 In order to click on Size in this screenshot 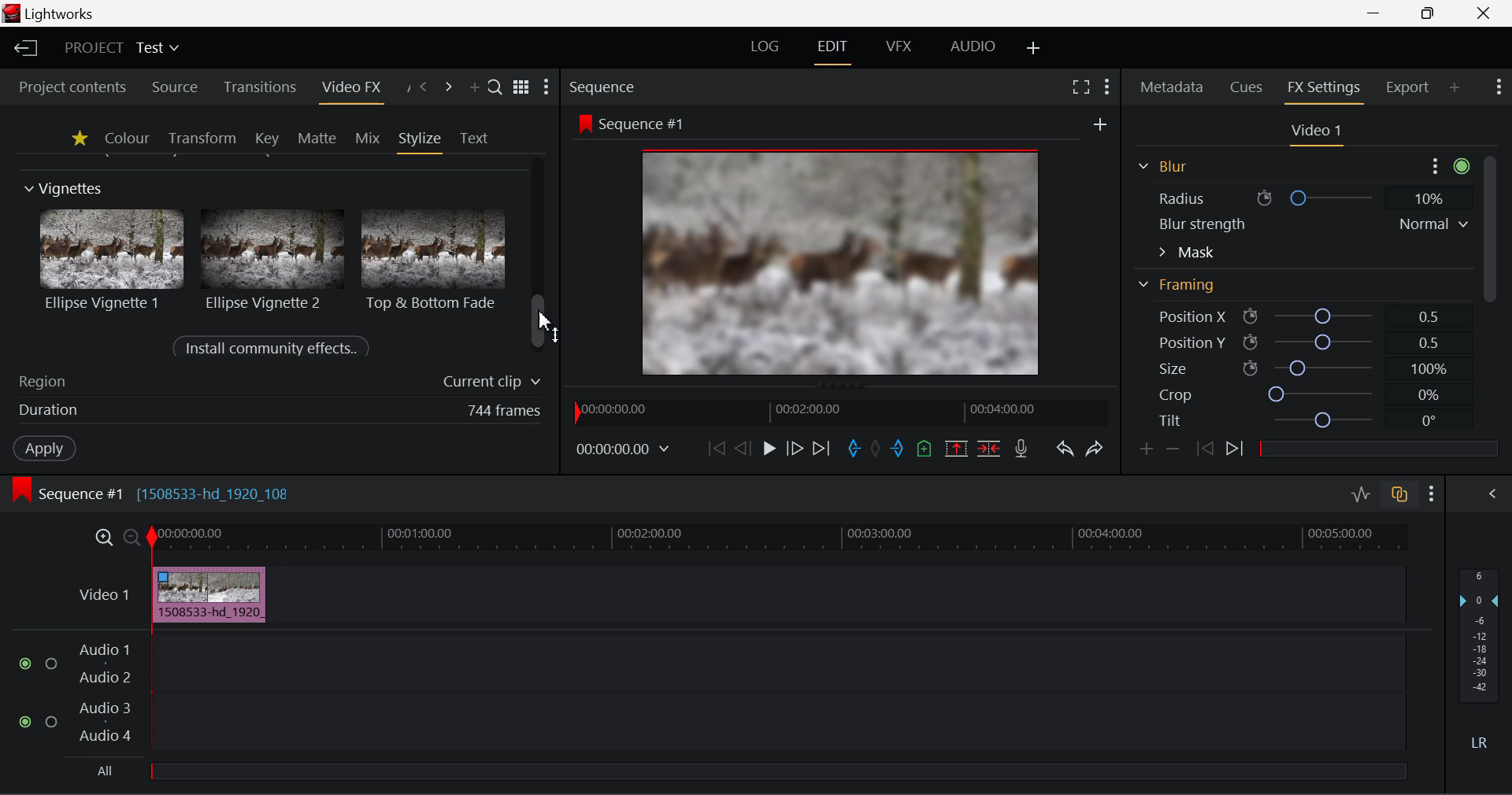, I will do `click(1299, 368)`.